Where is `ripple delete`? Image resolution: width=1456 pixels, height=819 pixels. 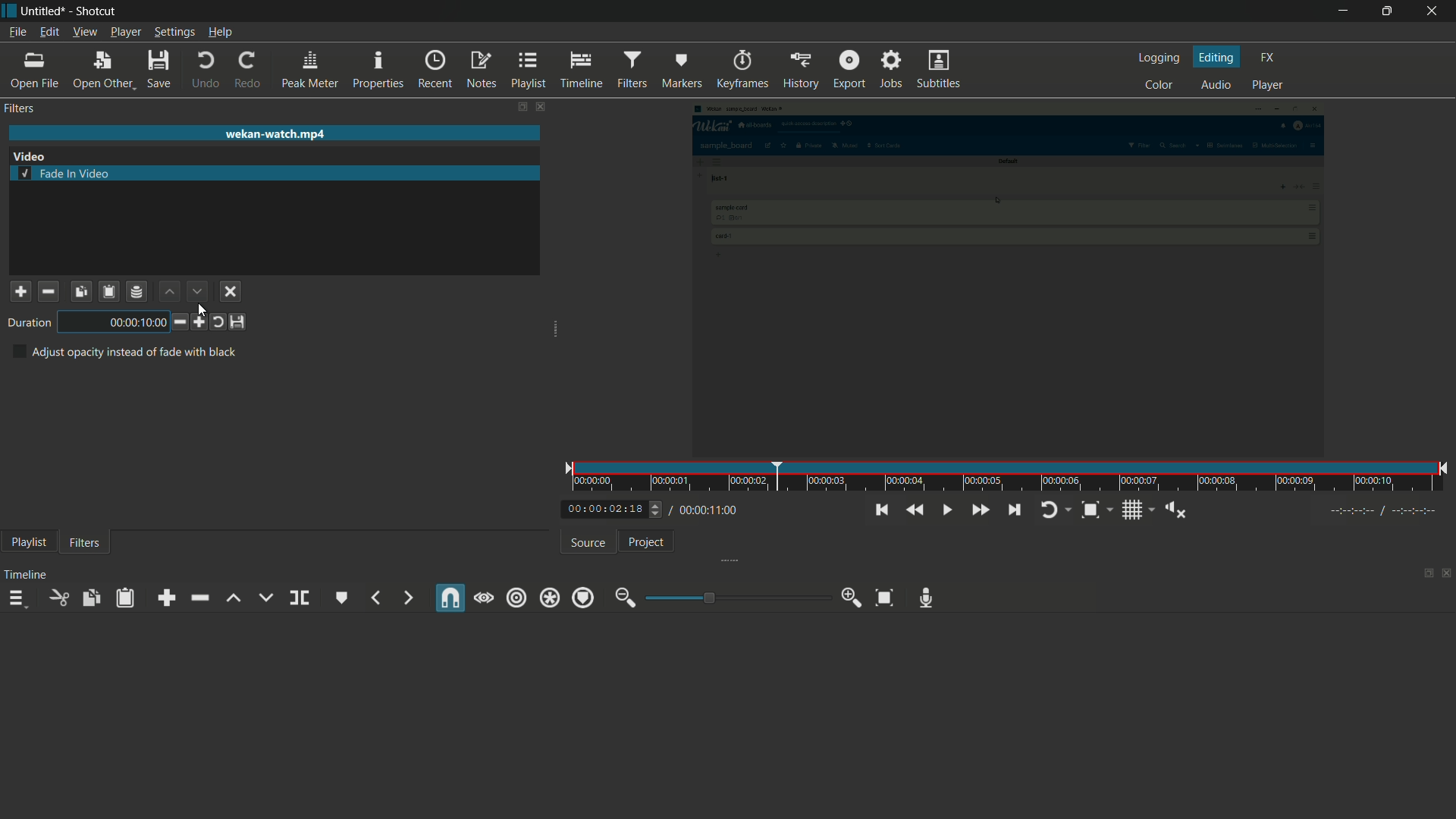
ripple delete is located at coordinates (199, 599).